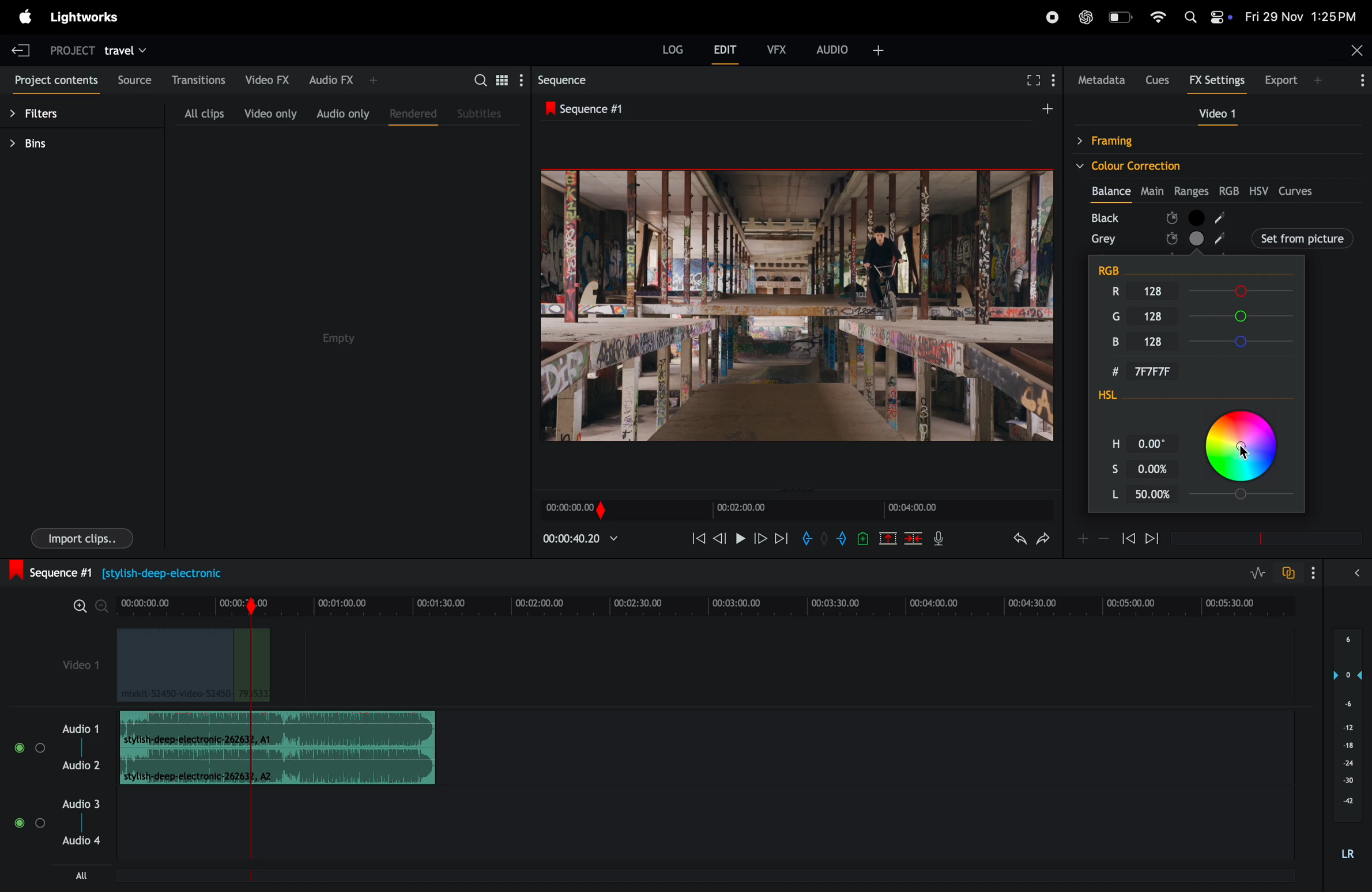  Describe the element at coordinates (1302, 16) in the screenshot. I see `date and time` at that location.